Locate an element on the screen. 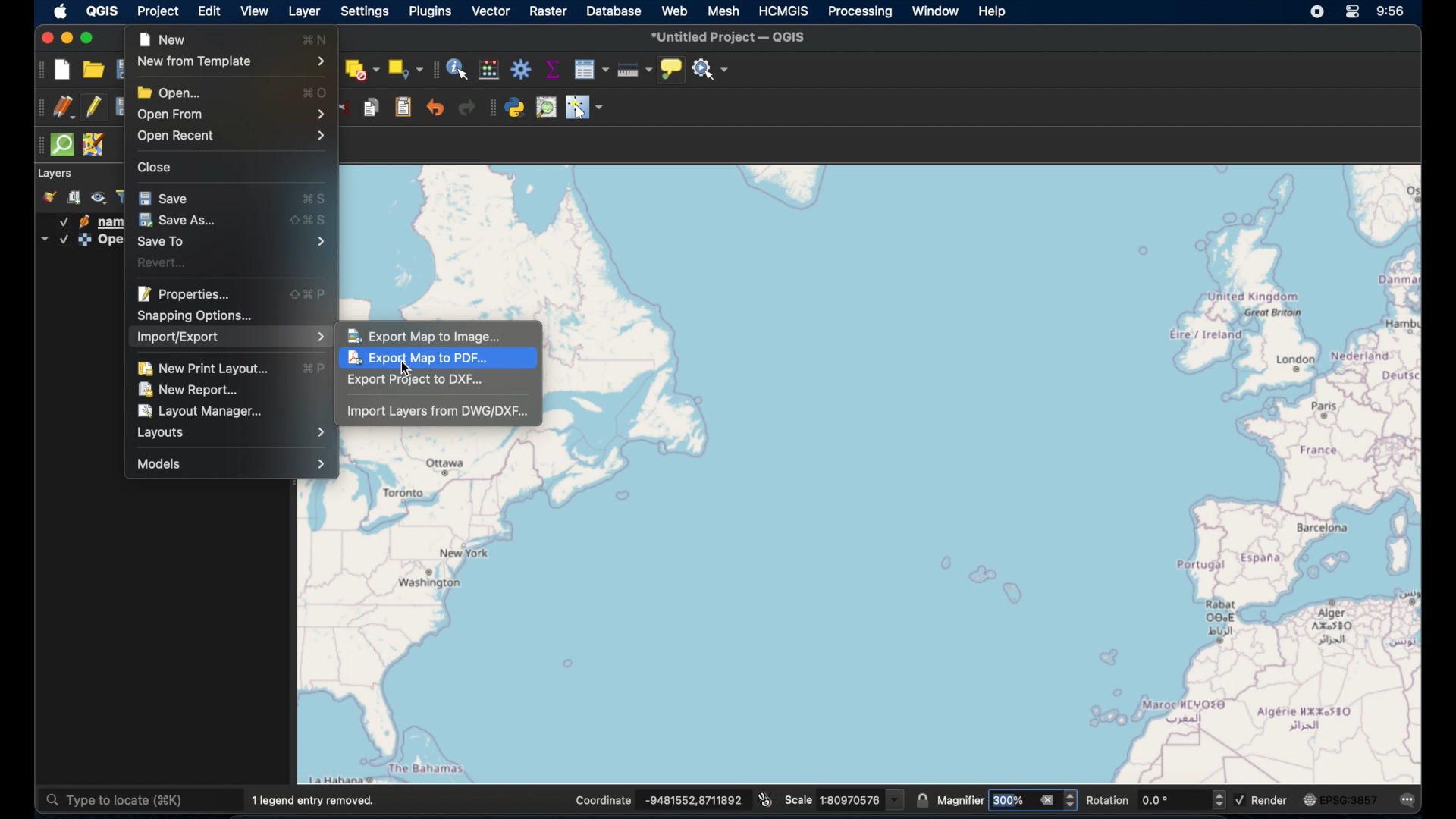 The width and height of the screenshot is (1456, 819). deselect features is located at coordinates (361, 70).